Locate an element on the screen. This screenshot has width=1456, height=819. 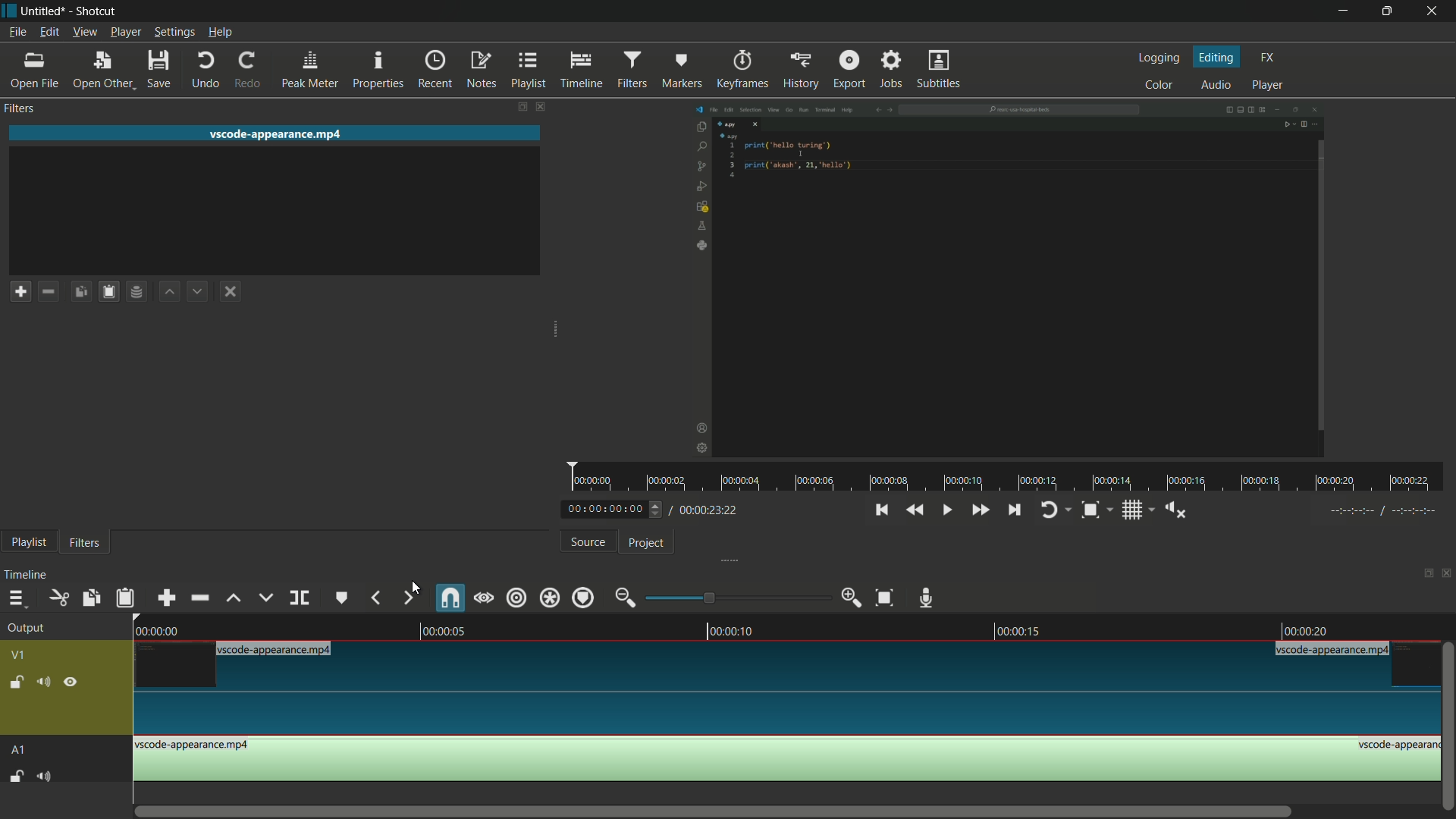
save filter set is located at coordinates (136, 293).